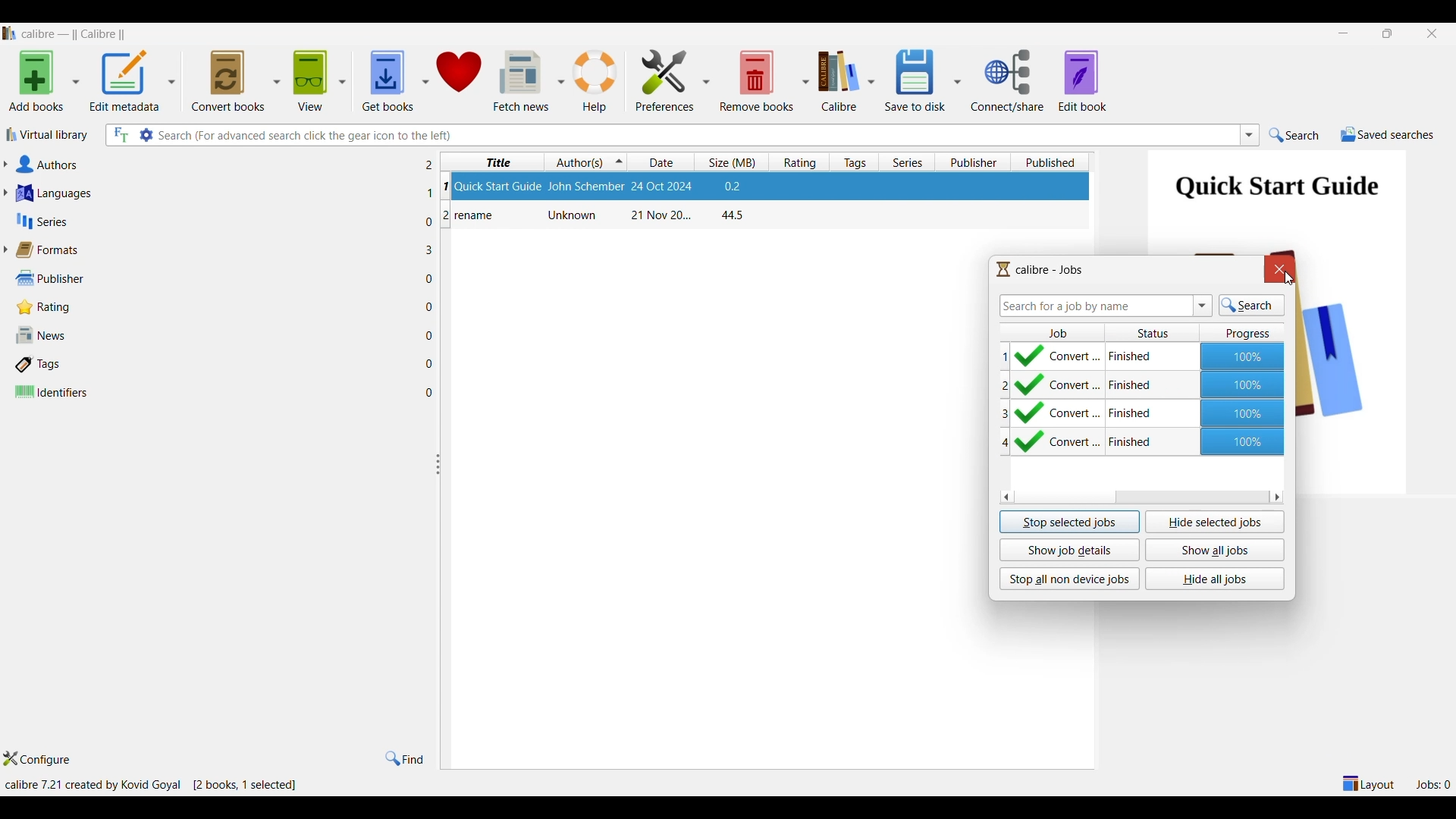 Image resolution: width=1456 pixels, height=819 pixels. Describe the element at coordinates (277, 80) in the screenshot. I see `Convert book options` at that location.